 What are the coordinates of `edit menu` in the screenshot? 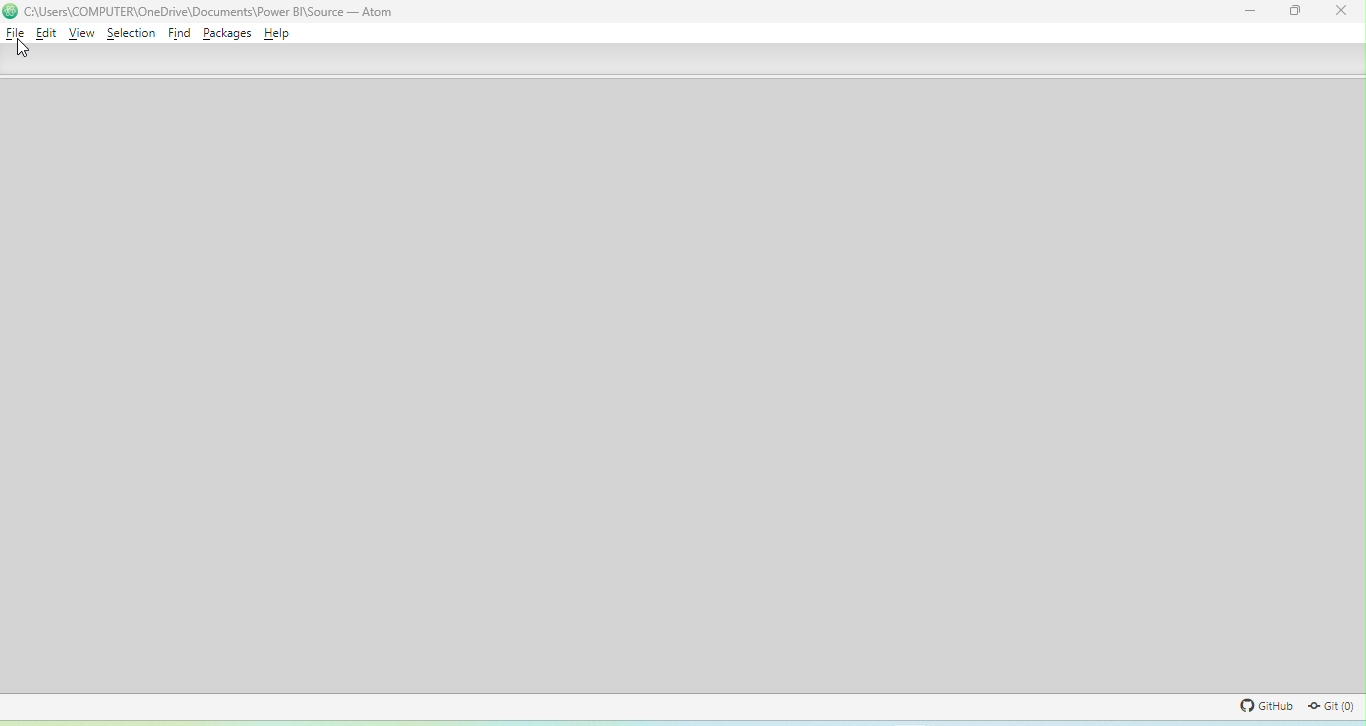 It's located at (46, 33).